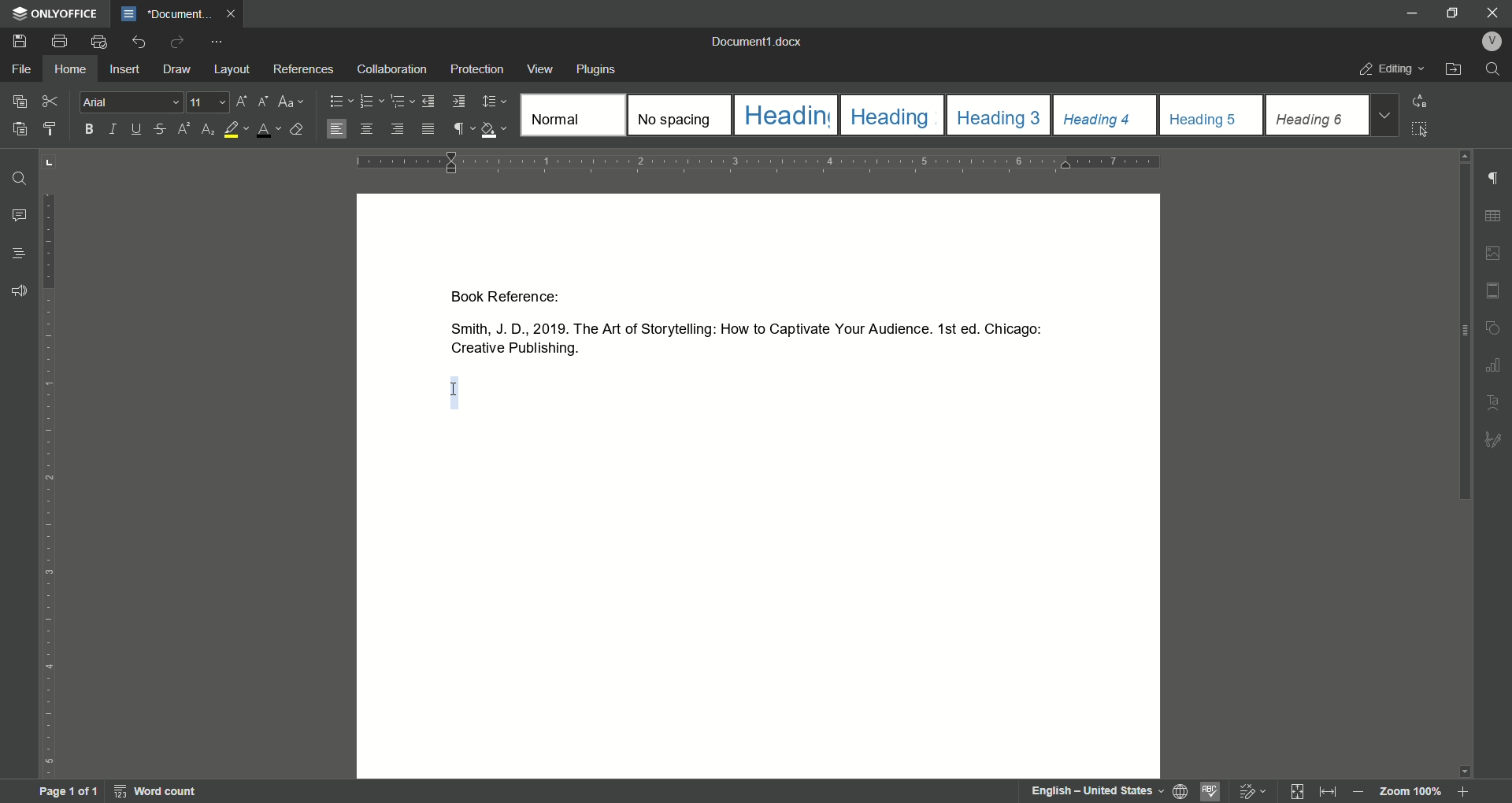 The height and width of the screenshot is (803, 1512). What do you see at coordinates (157, 791) in the screenshot?
I see `word count` at bounding box center [157, 791].